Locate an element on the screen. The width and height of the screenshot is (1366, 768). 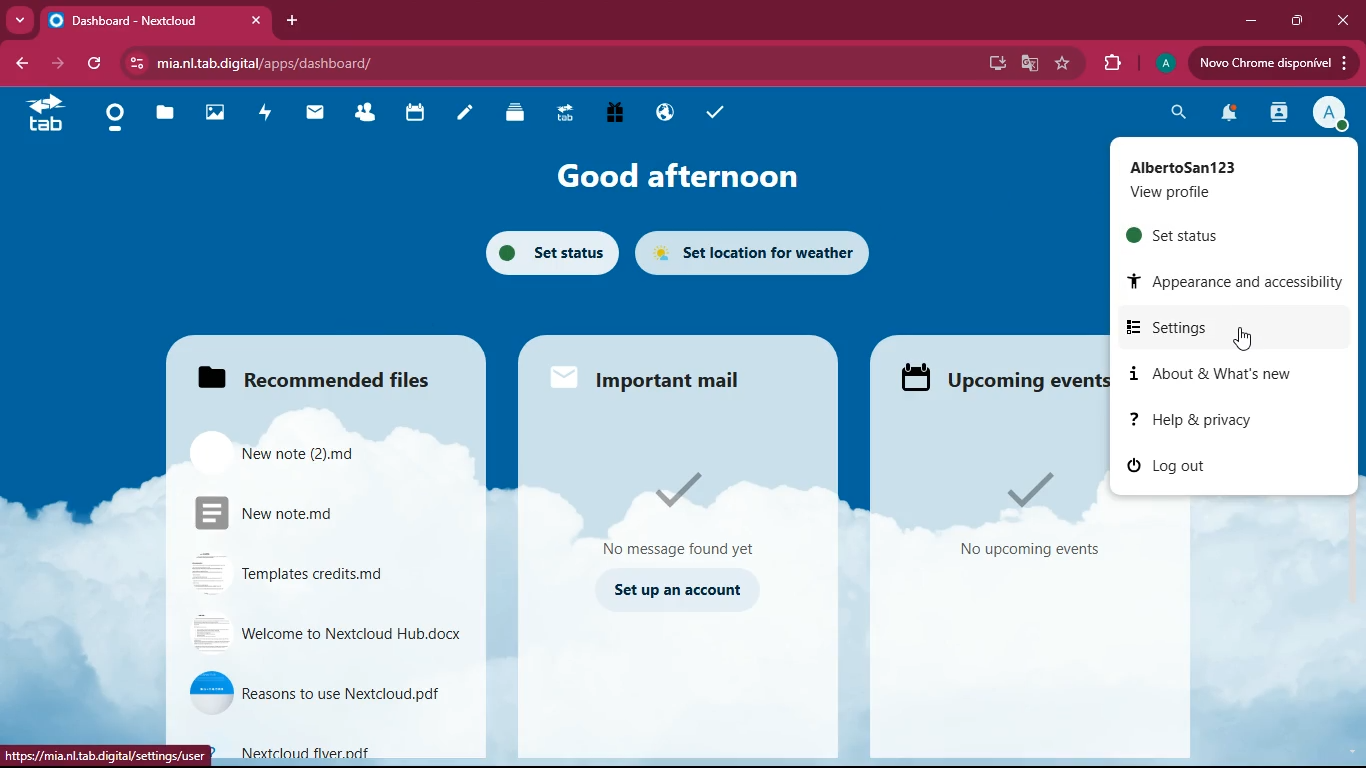
favourite is located at coordinates (1063, 64).